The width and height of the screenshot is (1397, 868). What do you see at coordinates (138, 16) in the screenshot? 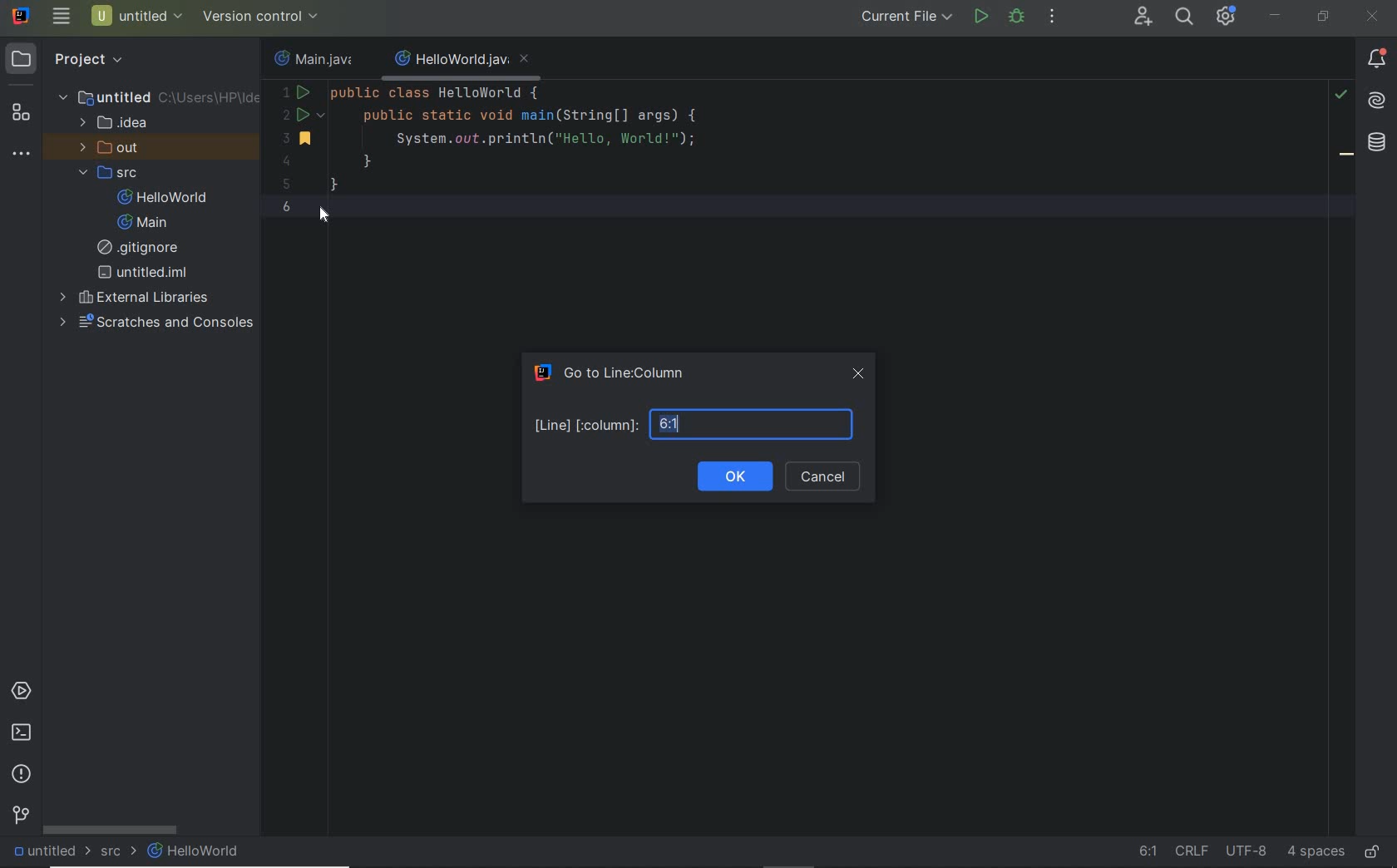
I see `project name` at bounding box center [138, 16].